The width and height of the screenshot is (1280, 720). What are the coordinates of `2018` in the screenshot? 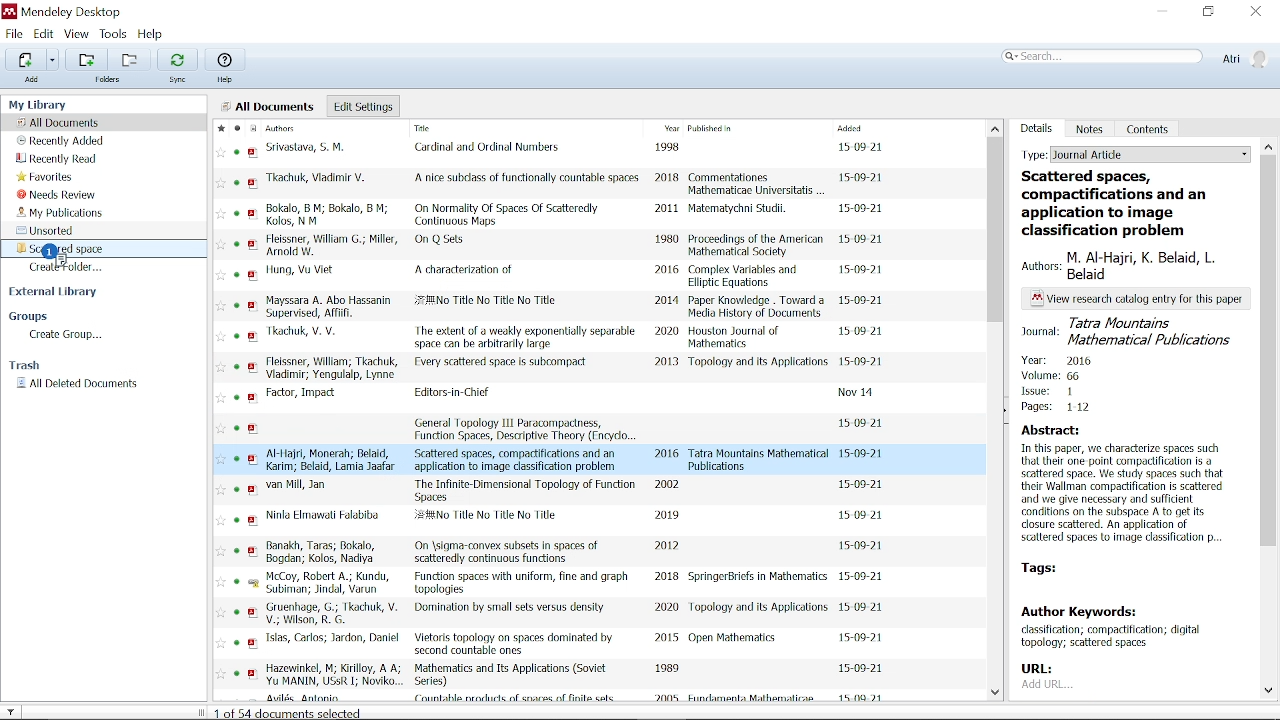 It's located at (667, 180).